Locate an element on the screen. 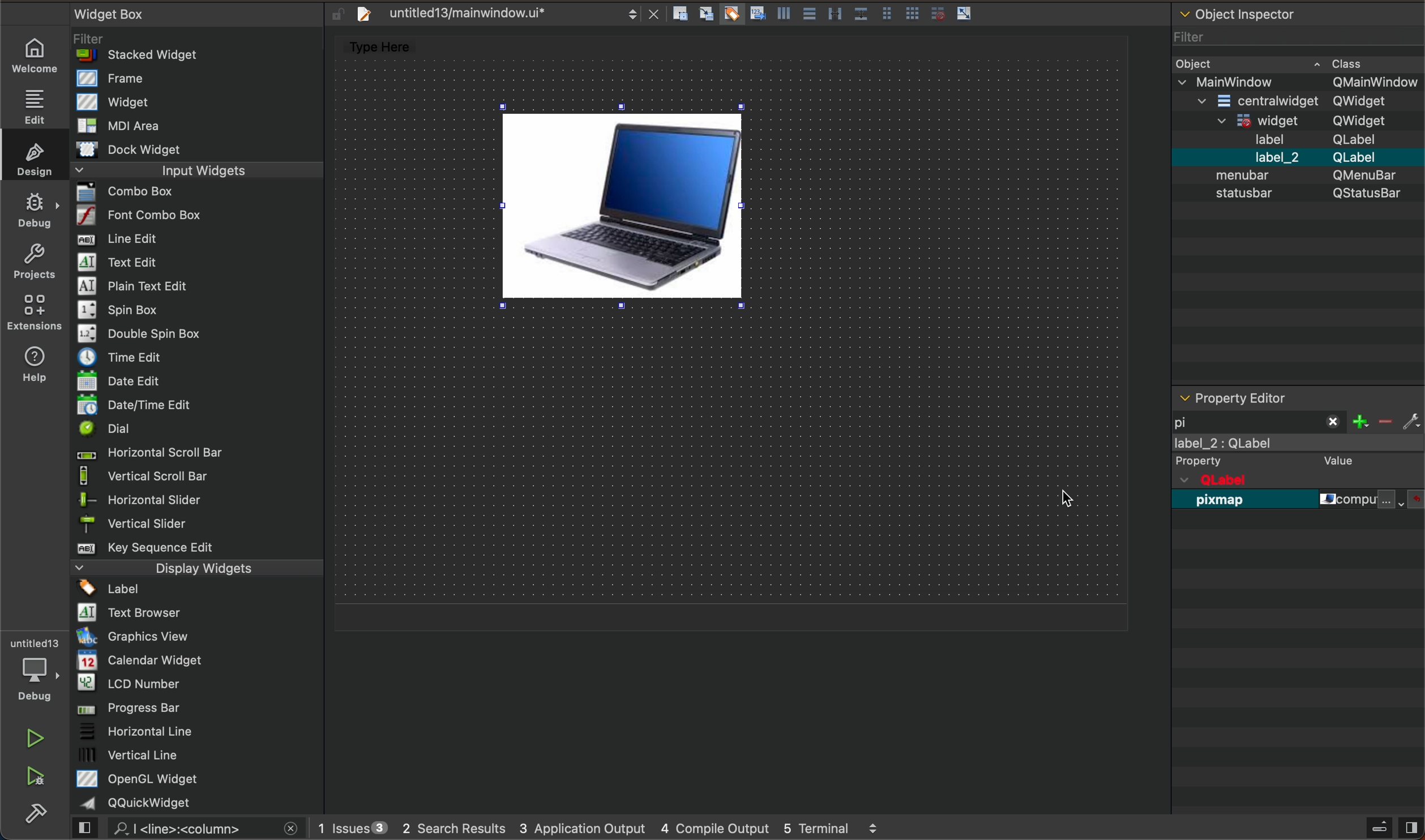 This screenshot has height=840, width=1425. welcome is located at coordinates (36, 55).